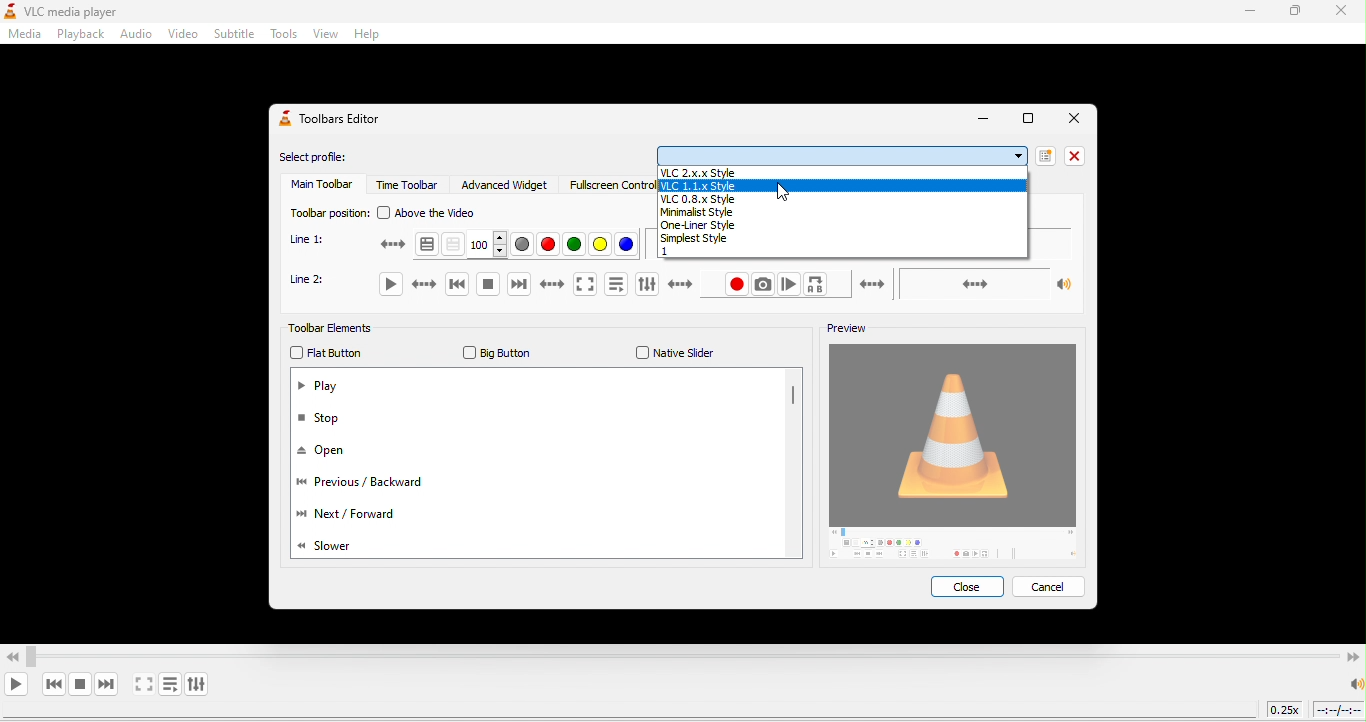 The height and width of the screenshot is (722, 1366). I want to click on record, so click(708, 286).